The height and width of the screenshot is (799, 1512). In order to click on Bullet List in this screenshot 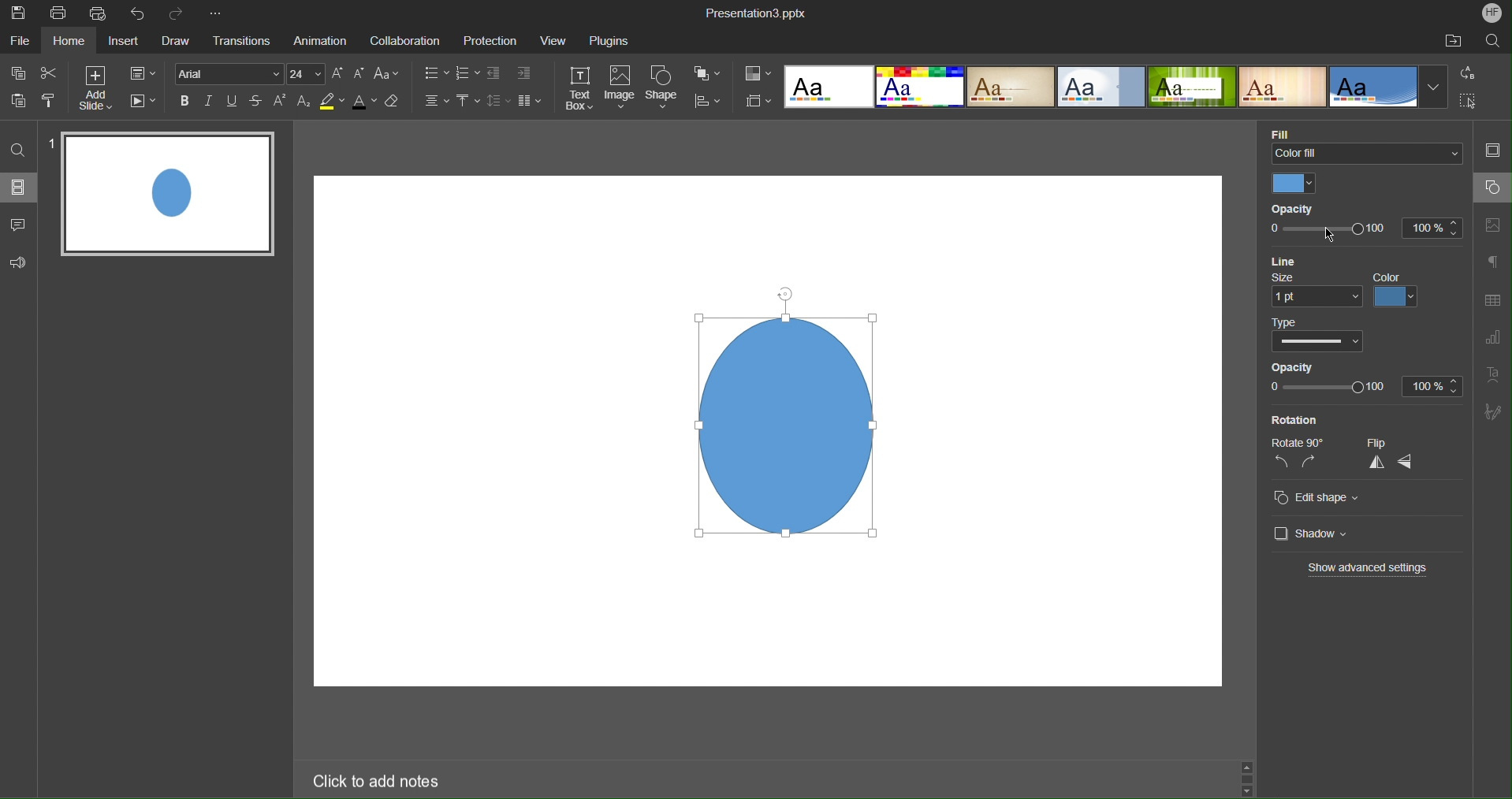, I will do `click(436, 75)`.